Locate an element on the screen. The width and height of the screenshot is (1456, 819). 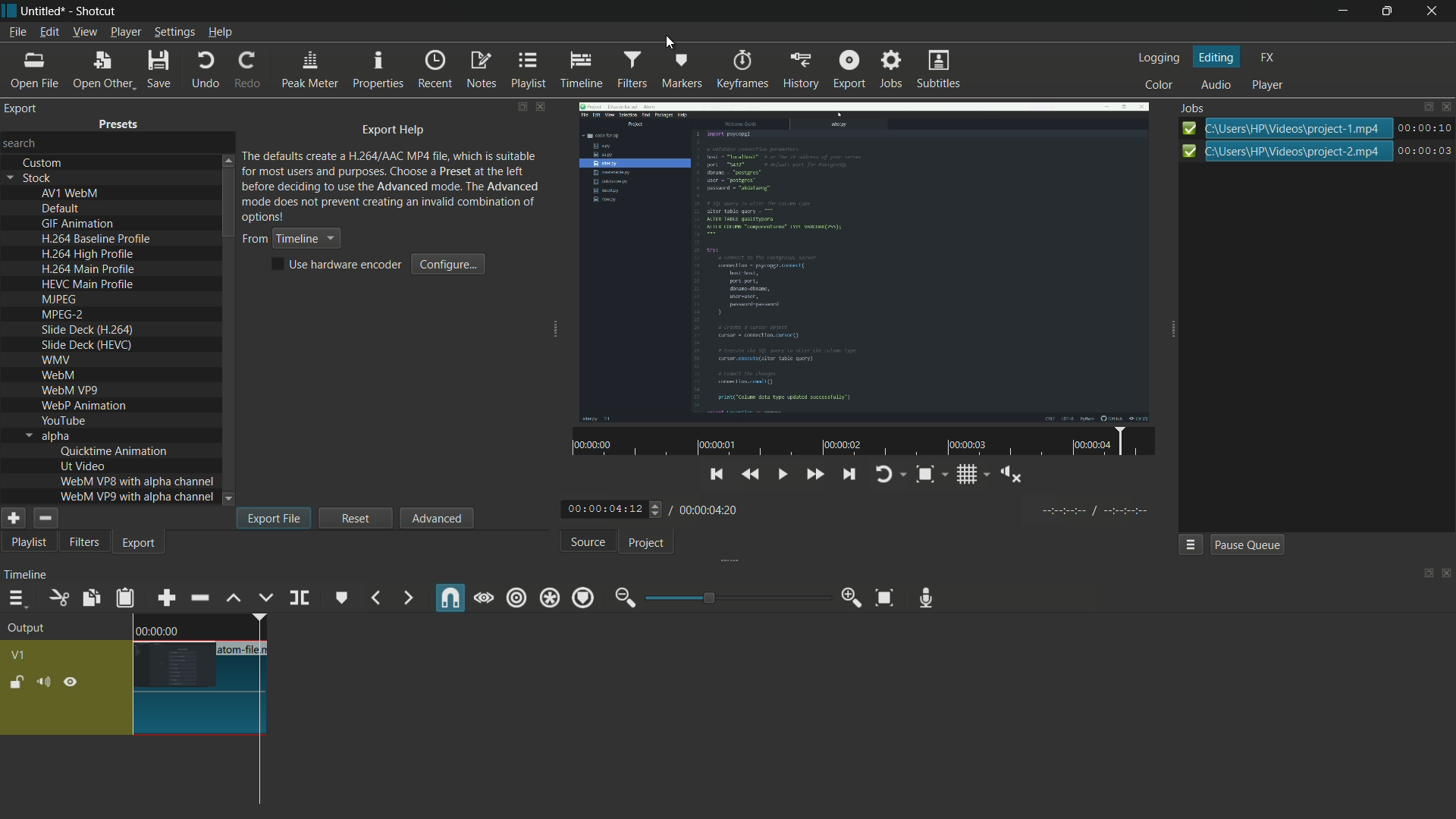
dropdown is located at coordinates (228, 499).